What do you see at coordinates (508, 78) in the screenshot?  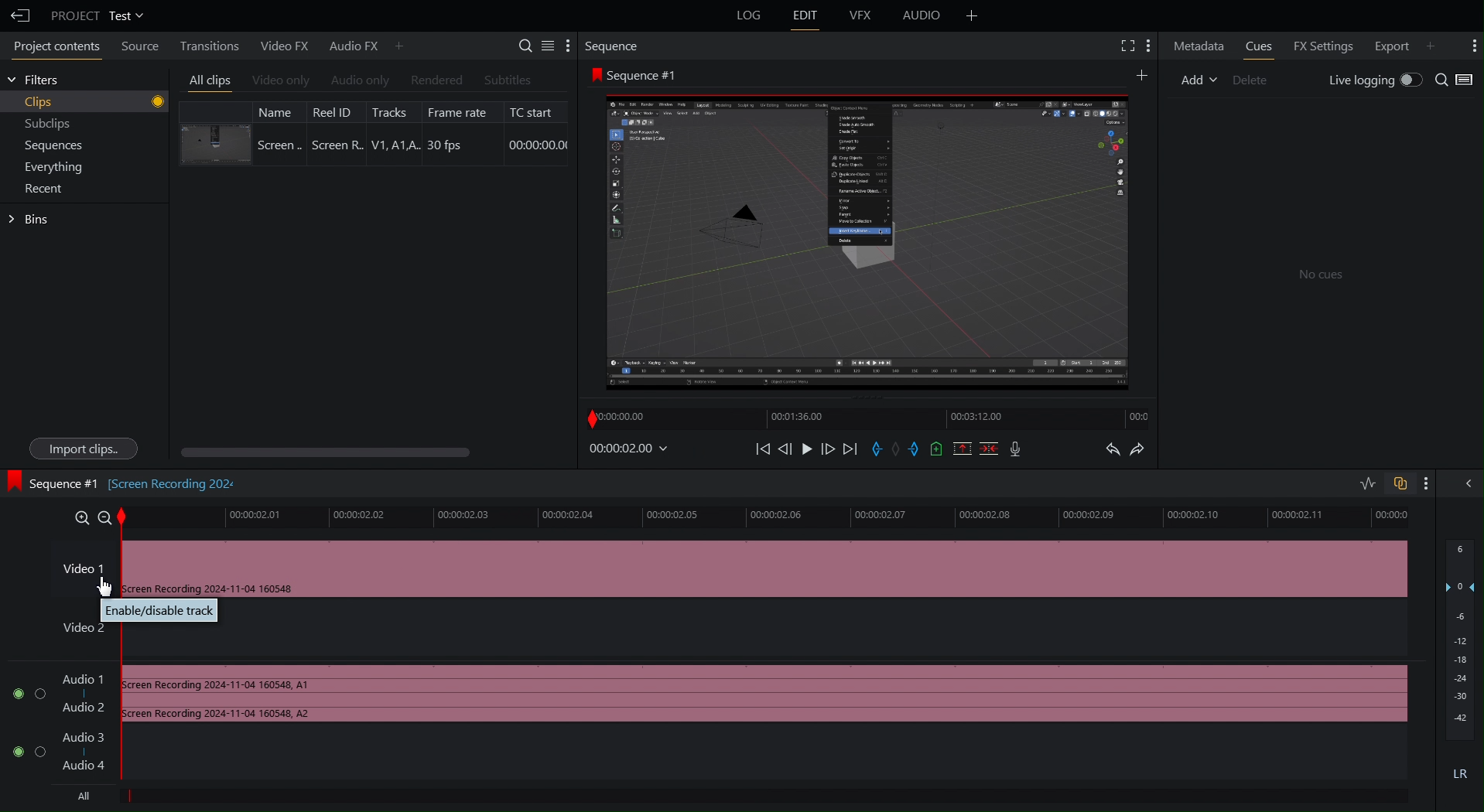 I see `Subtitle` at bounding box center [508, 78].